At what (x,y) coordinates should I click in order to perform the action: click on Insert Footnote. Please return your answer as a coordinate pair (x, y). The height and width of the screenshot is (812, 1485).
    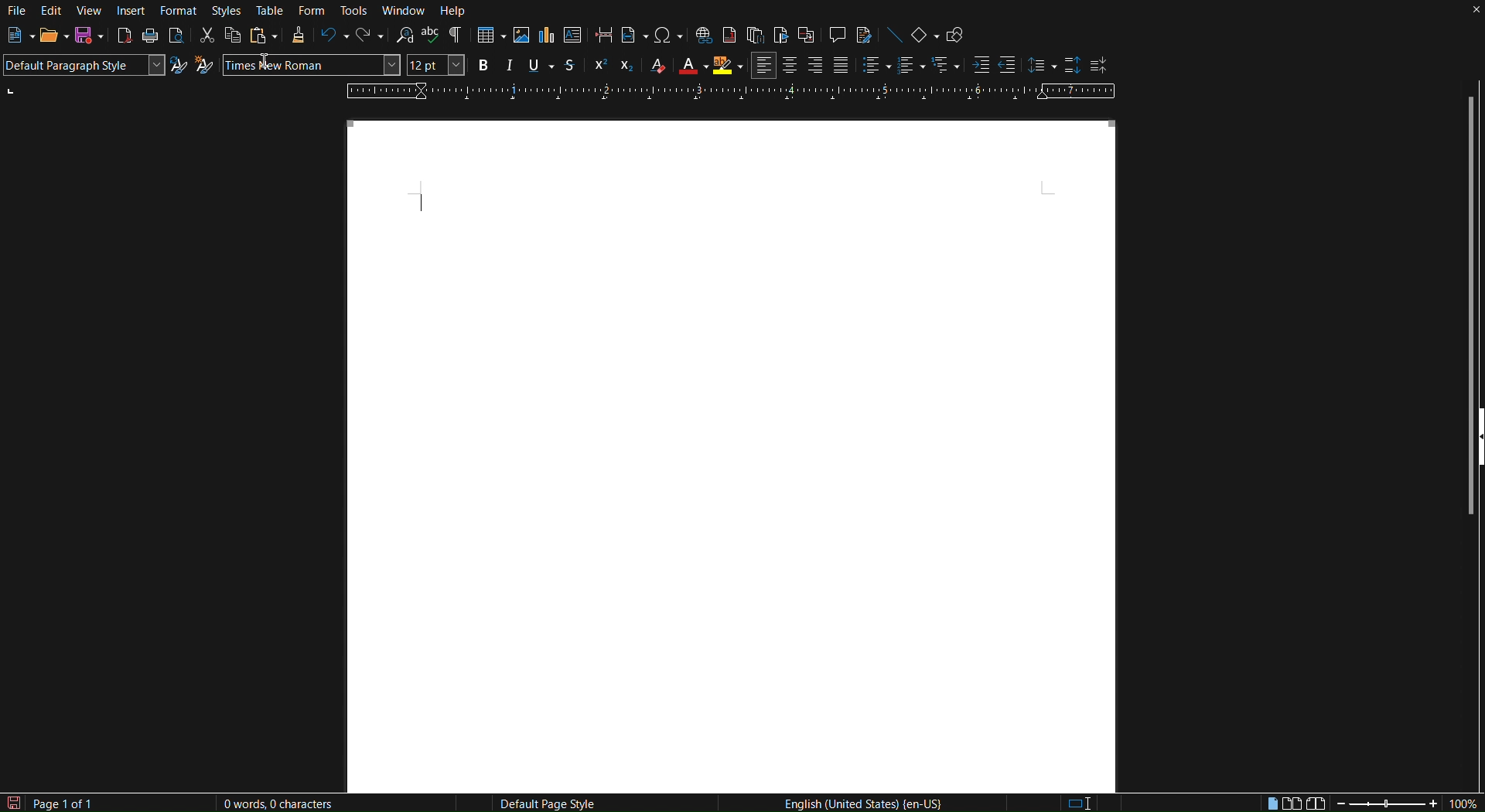
    Looking at the image, I should click on (730, 37).